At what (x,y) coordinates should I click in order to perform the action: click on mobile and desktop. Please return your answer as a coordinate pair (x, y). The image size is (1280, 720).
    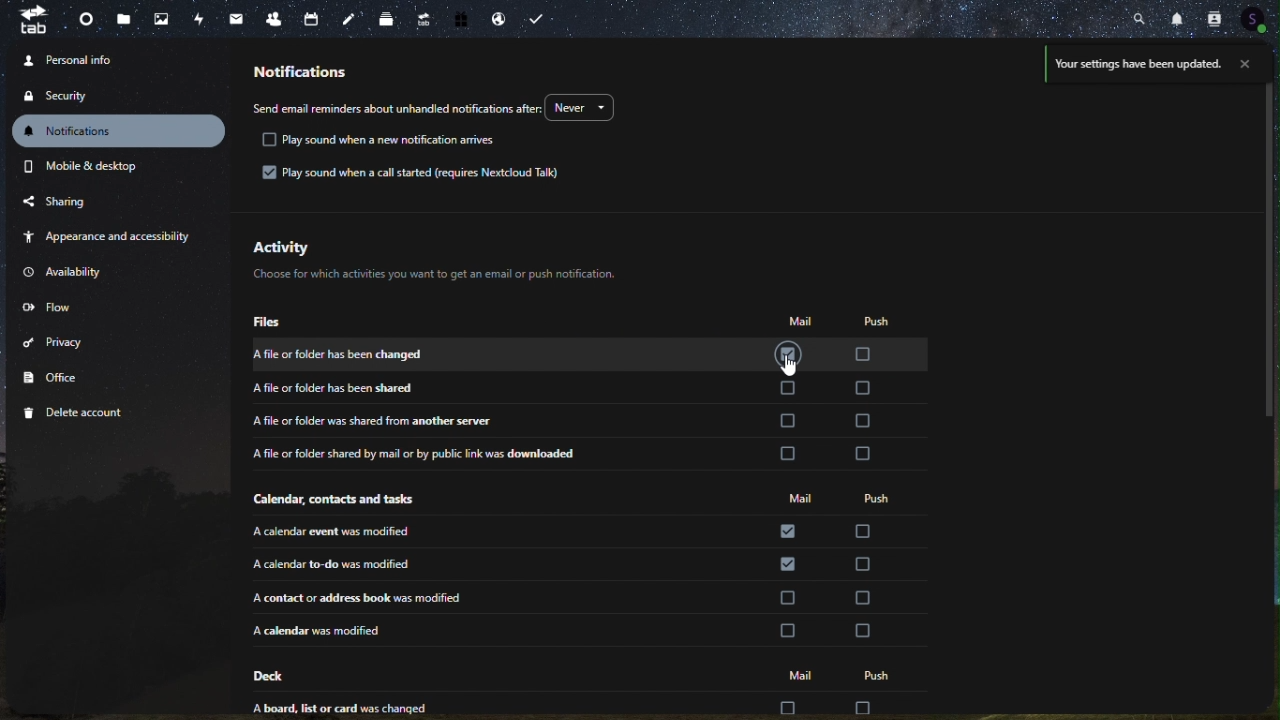
    Looking at the image, I should click on (84, 165).